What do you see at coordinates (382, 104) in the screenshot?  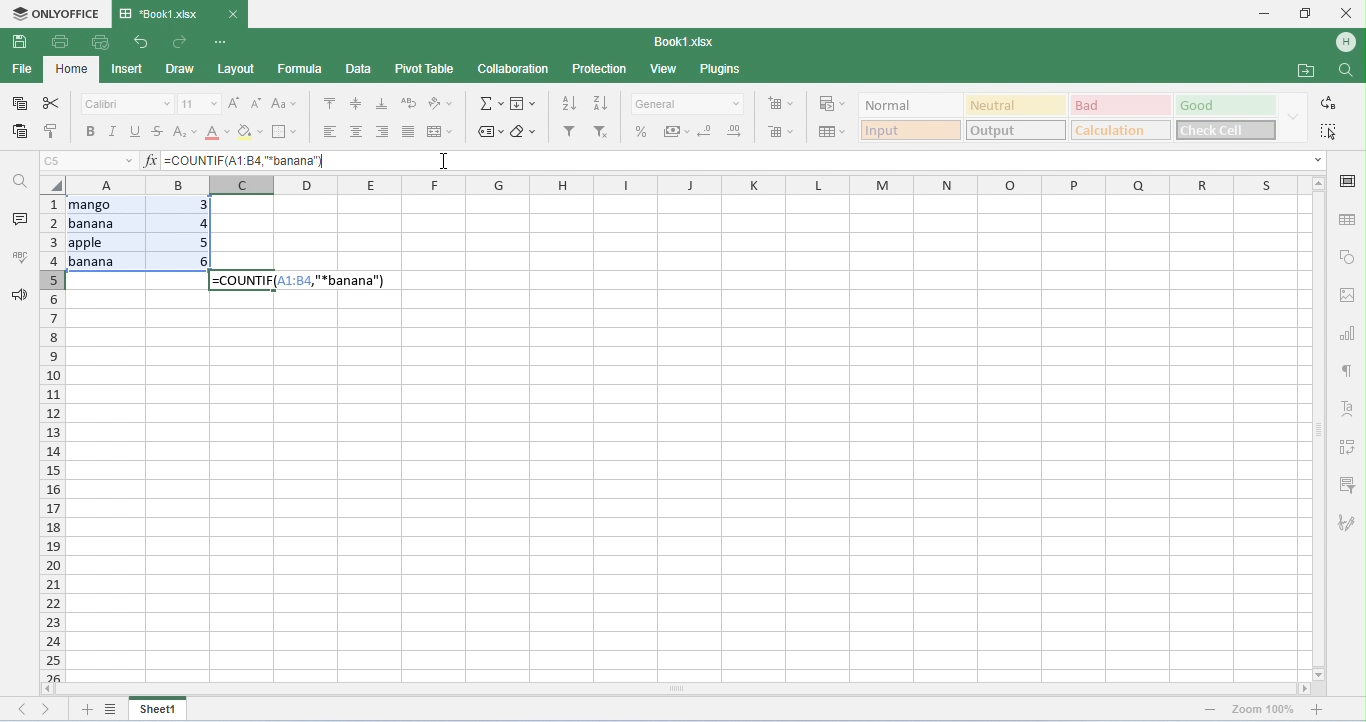 I see `align bottom` at bounding box center [382, 104].